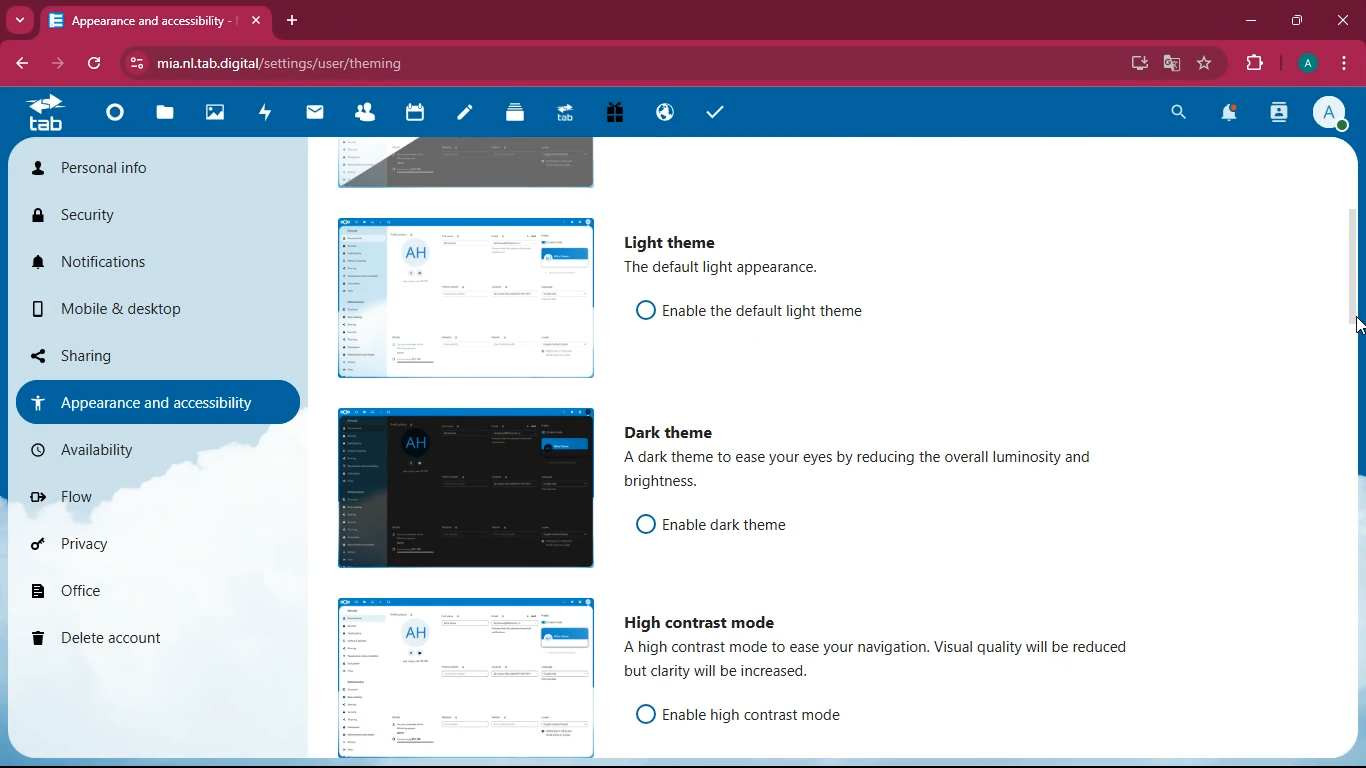  Describe the element at coordinates (140, 19) in the screenshot. I see `tab` at that location.